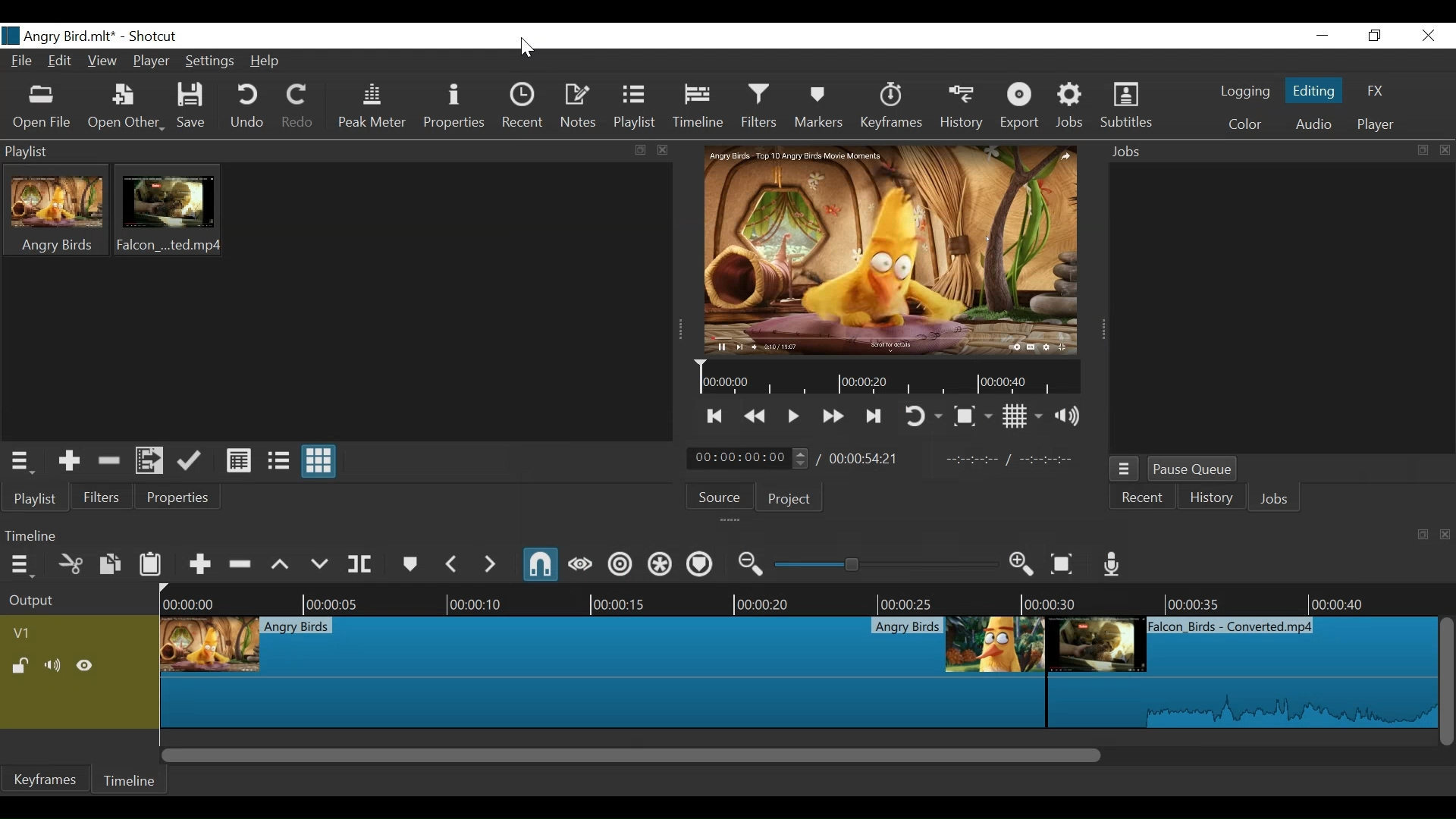 This screenshot has height=819, width=1456. I want to click on Update, so click(188, 462).